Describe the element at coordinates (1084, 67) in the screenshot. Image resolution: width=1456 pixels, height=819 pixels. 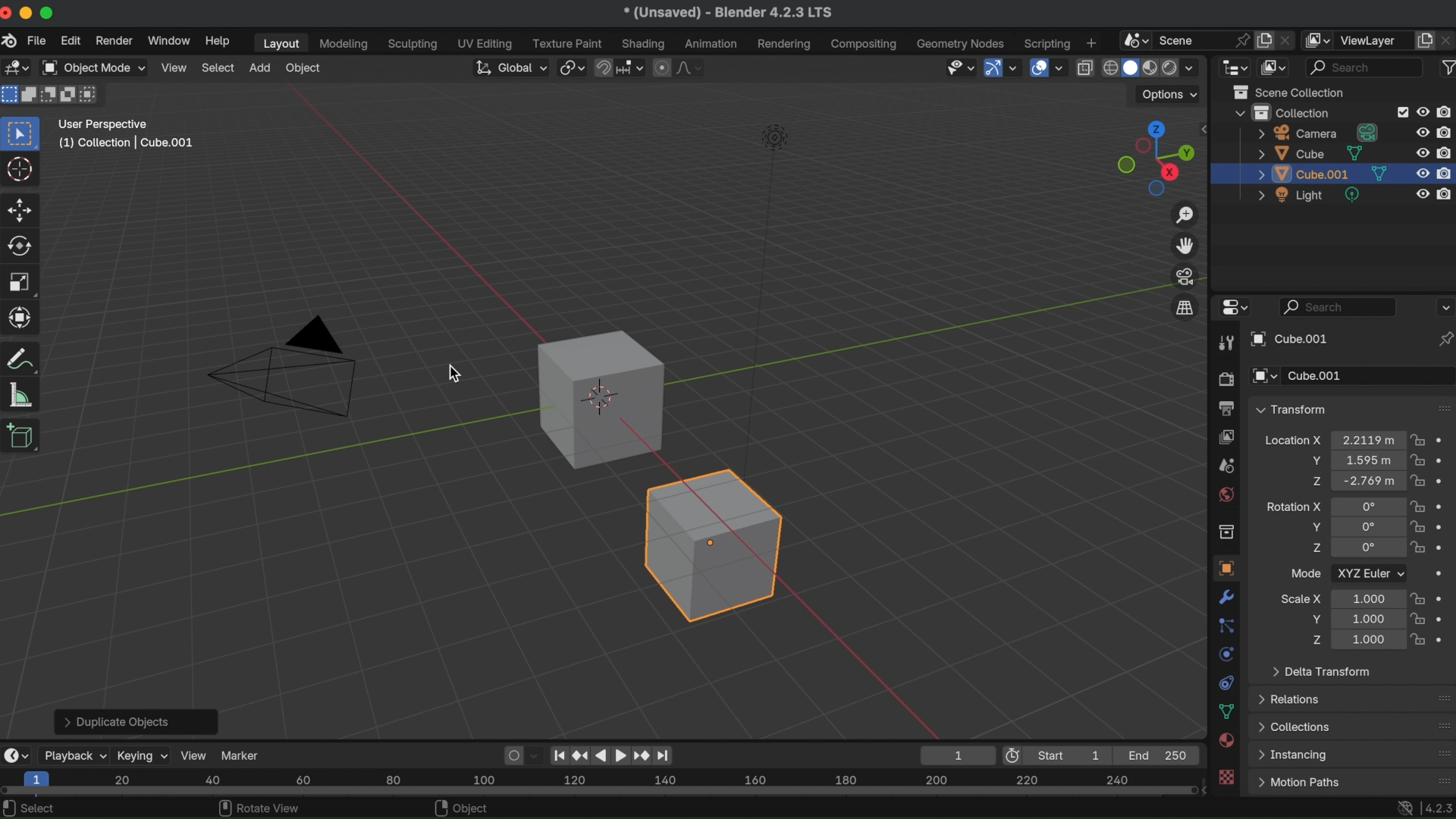
I see `toggle x-ray` at that location.